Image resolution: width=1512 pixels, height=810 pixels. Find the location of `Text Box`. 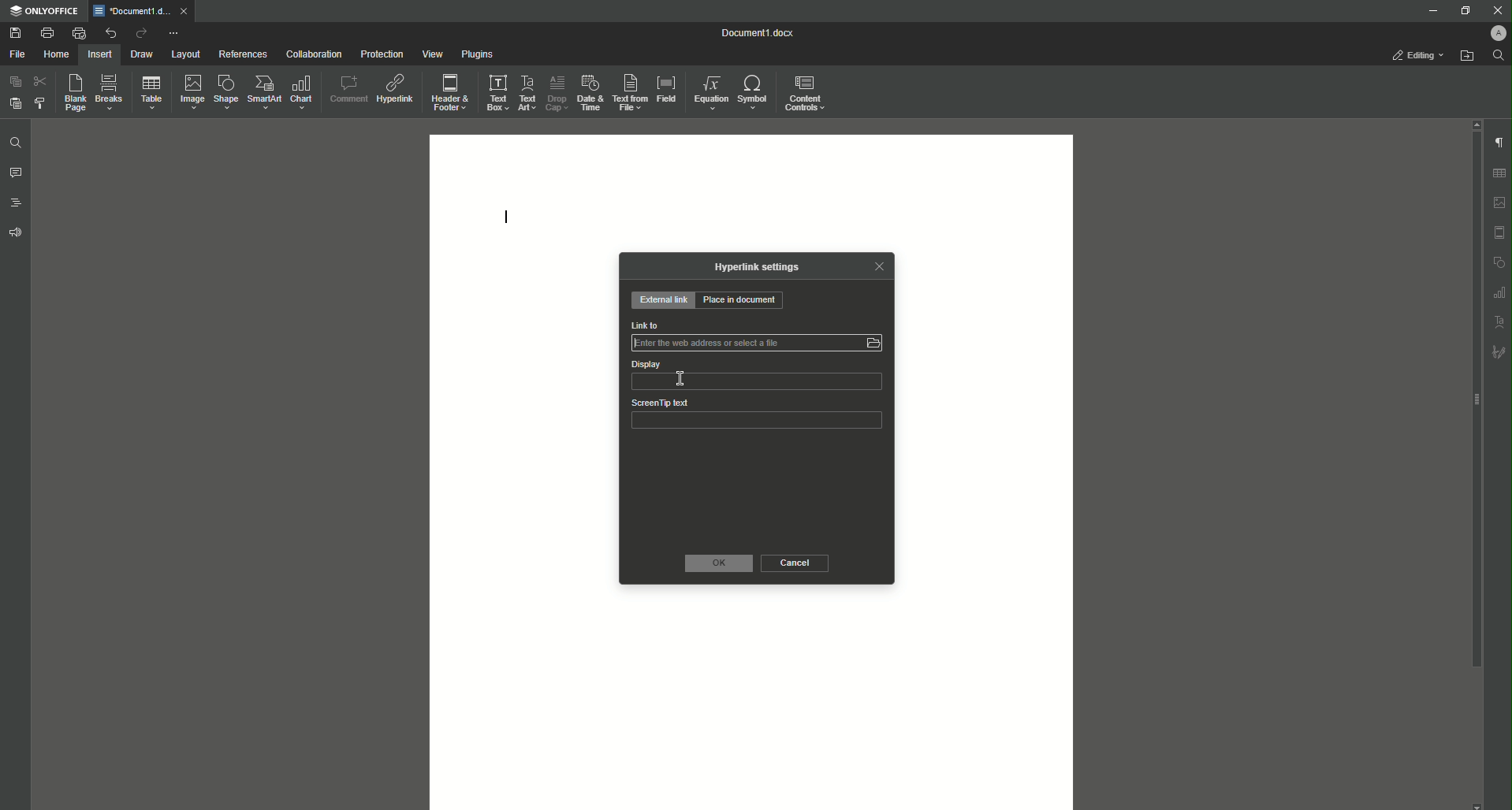

Text Box is located at coordinates (498, 92).